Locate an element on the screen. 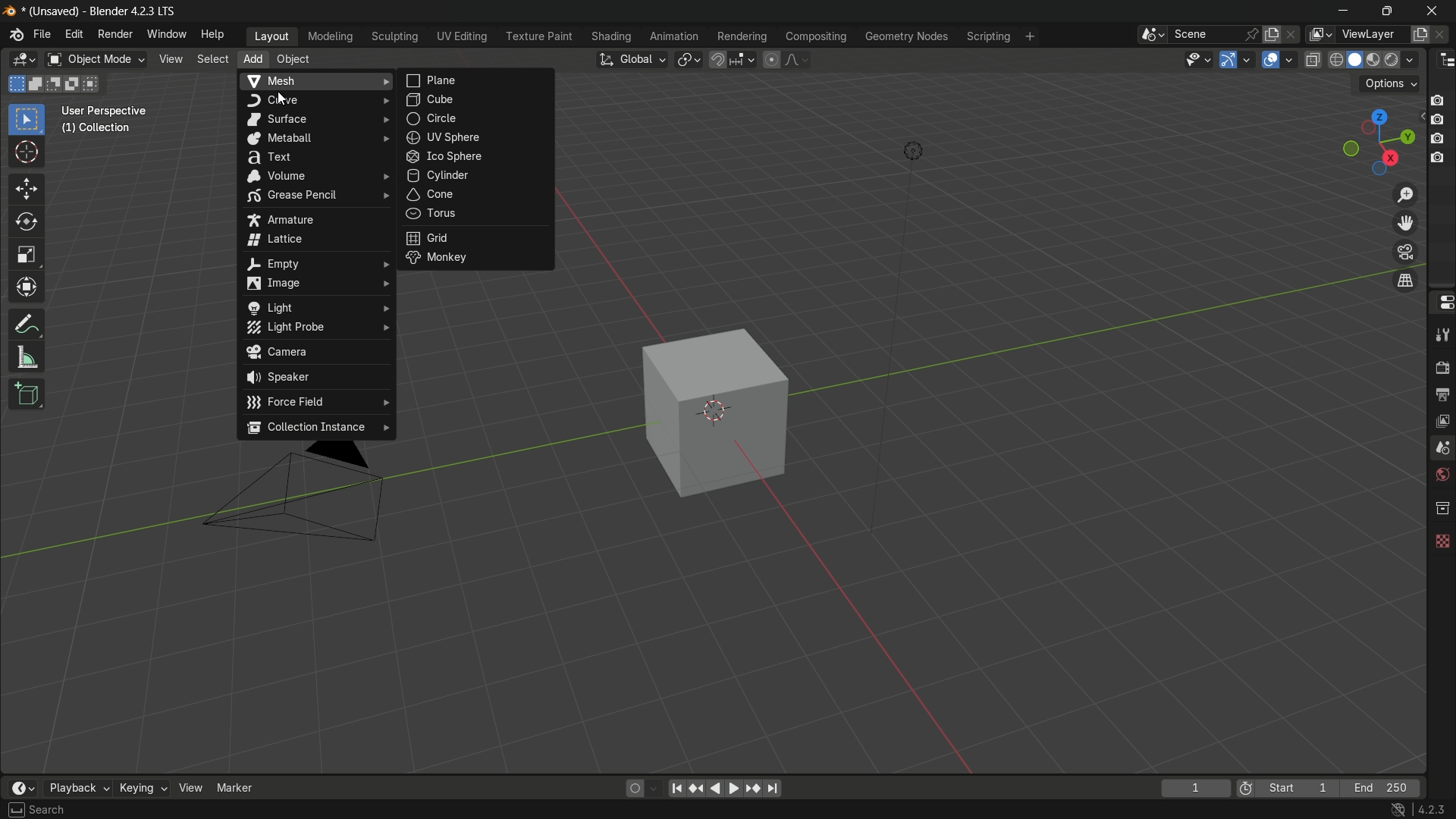 This screenshot has height=819, width=1456. browse scenes is located at coordinates (1151, 35).